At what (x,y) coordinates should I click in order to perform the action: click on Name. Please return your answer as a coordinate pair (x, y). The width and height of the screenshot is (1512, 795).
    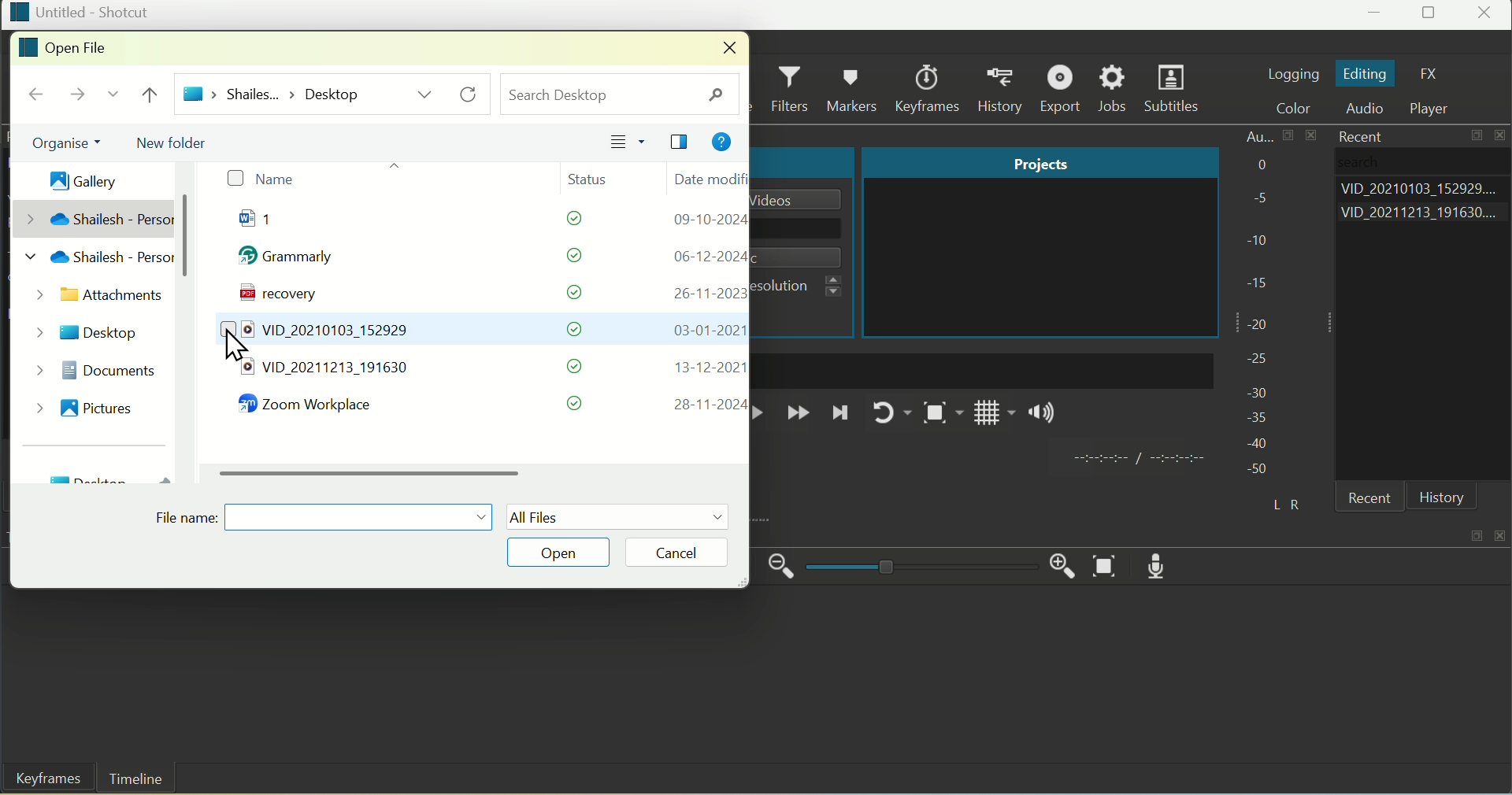
    Looking at the image, I should click on (260, 179).